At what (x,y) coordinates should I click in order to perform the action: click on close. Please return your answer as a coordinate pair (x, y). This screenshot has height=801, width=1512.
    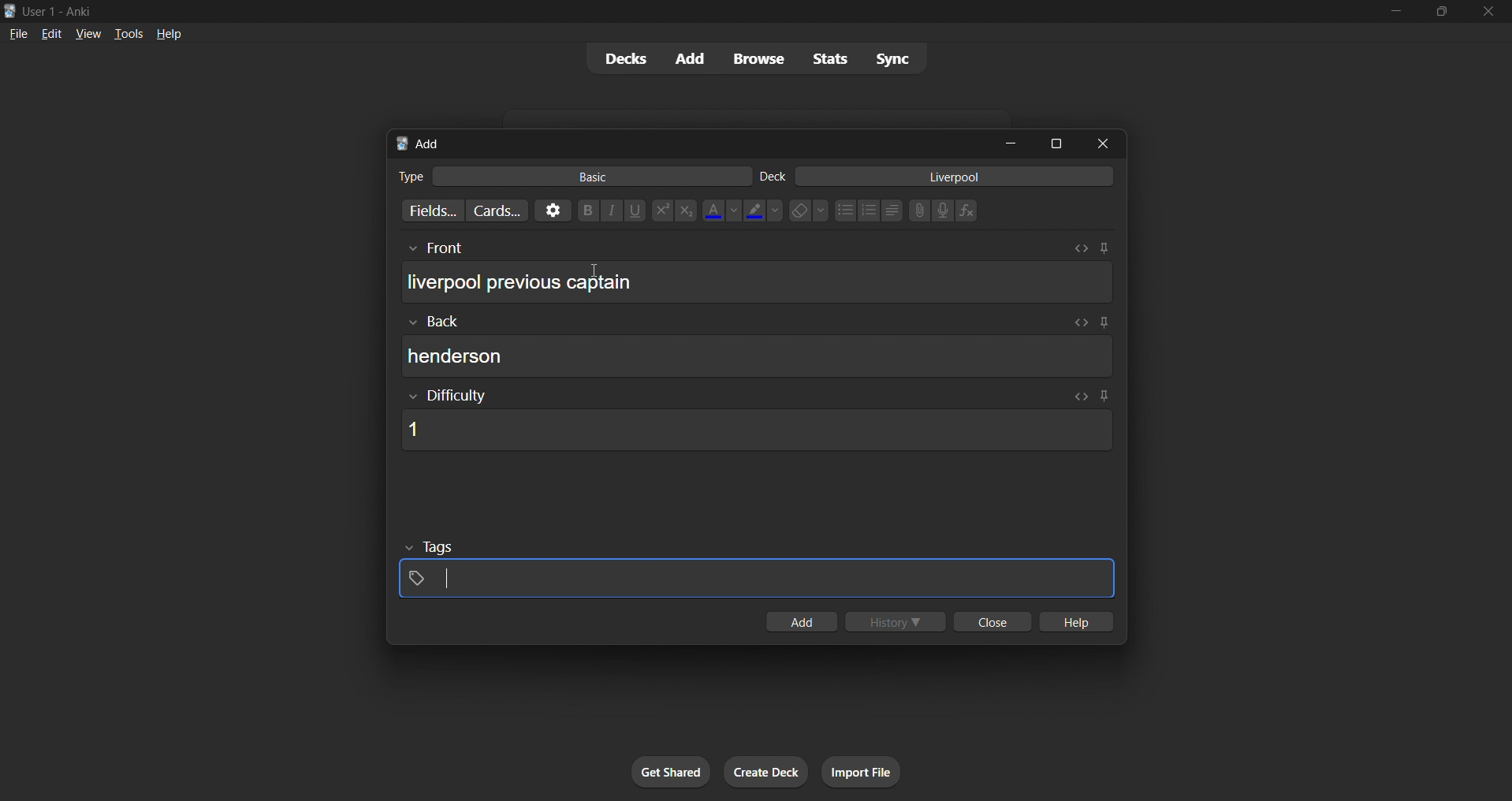
    Looking at the image, I should click on (1489, 12).